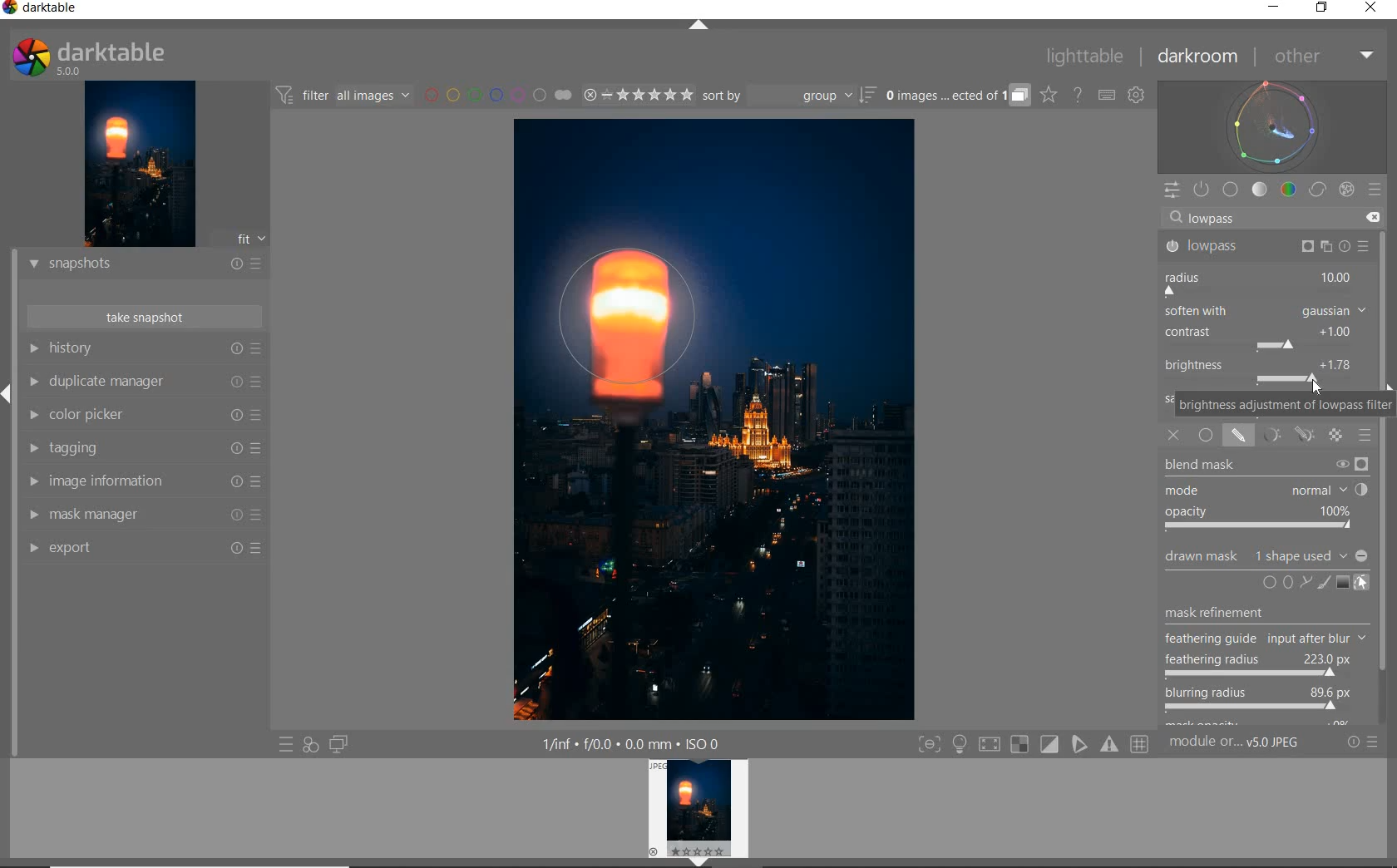  I want to click on DELETE, so click(1375, 219).